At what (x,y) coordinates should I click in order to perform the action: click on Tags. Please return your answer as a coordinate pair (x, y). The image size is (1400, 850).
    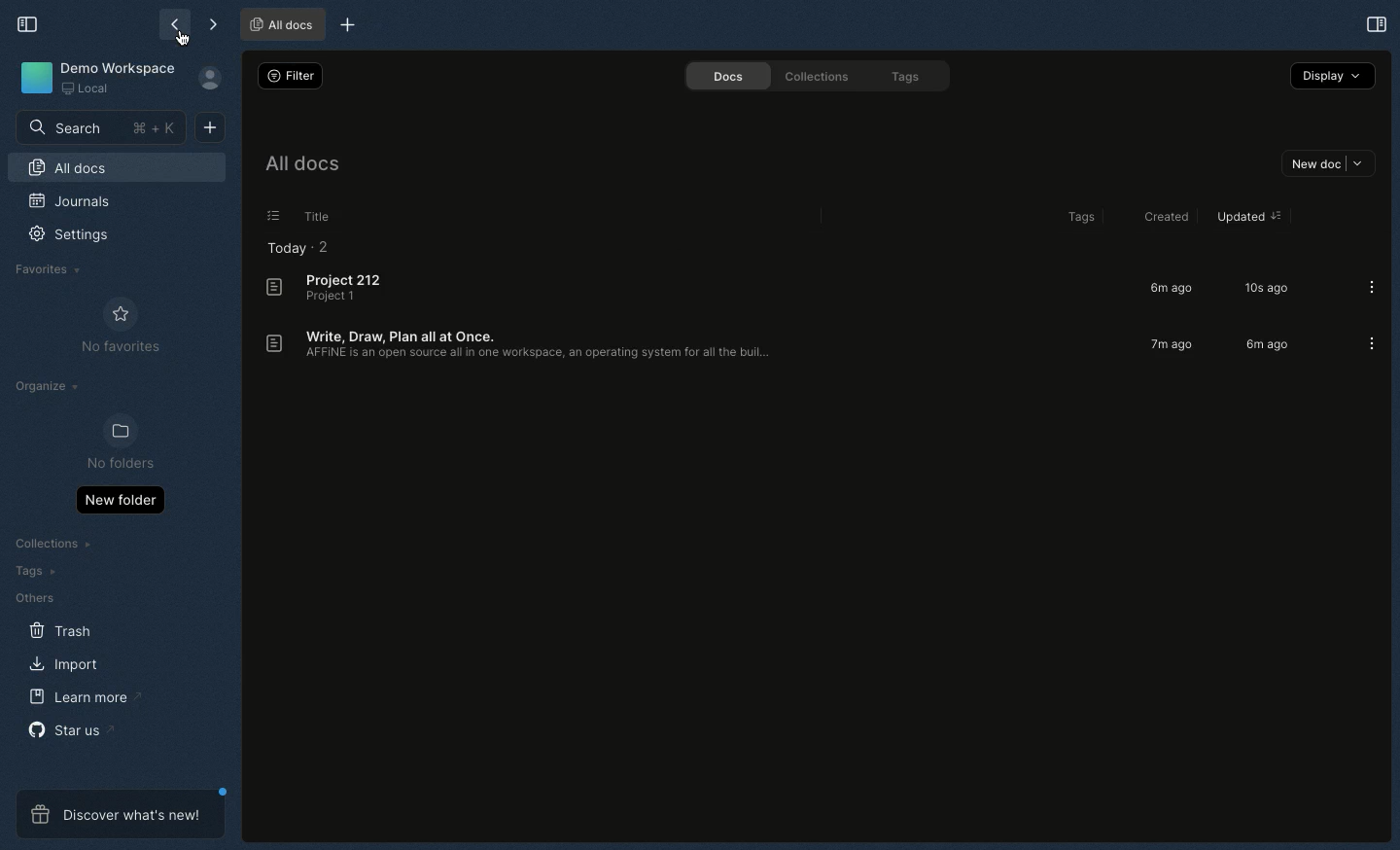
    Looking at the image, I should click on (911, 76).